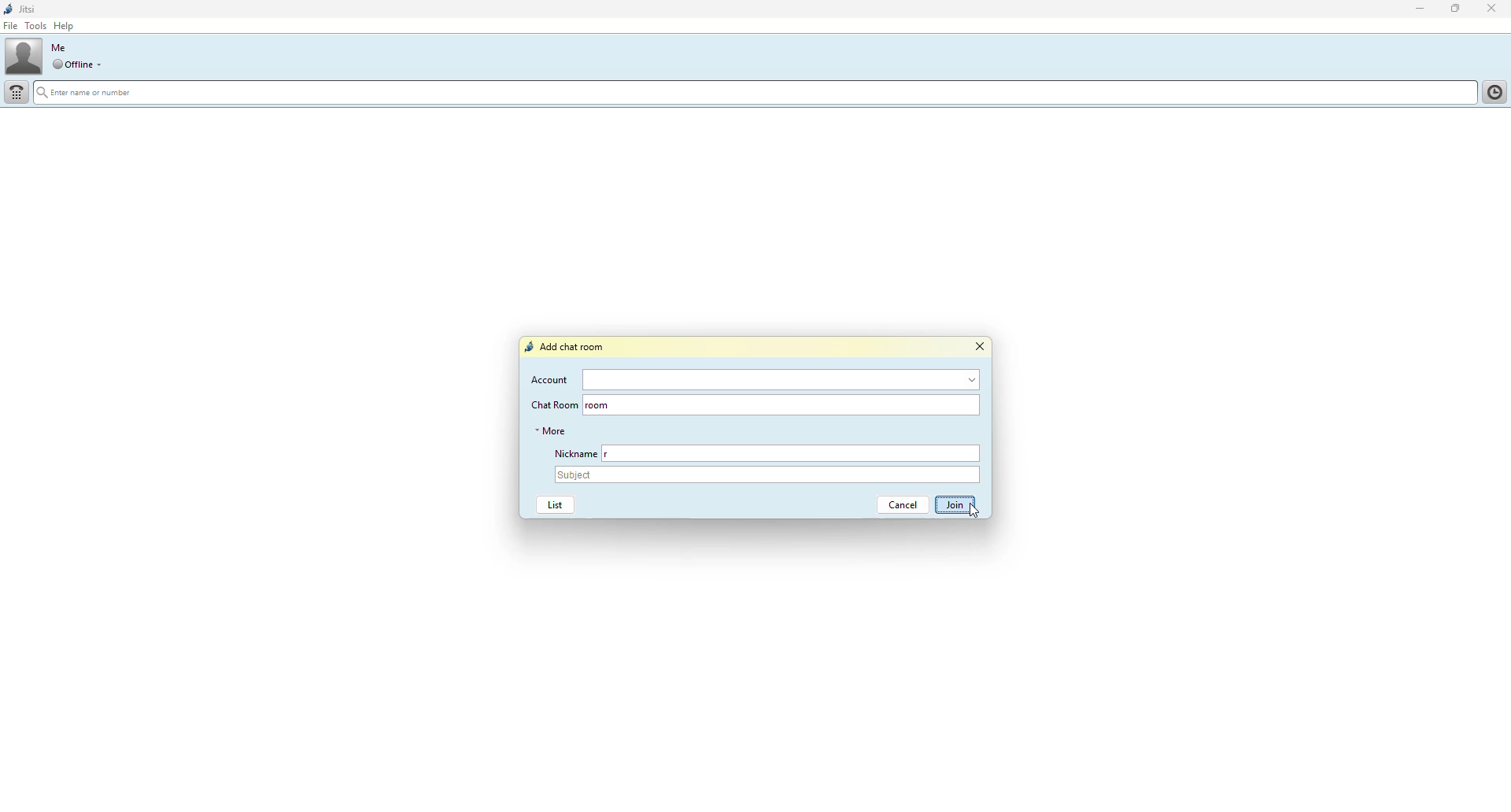 The width and height of the screenshot is (1511, 812). I want to click on cursor, so click(973, 512).